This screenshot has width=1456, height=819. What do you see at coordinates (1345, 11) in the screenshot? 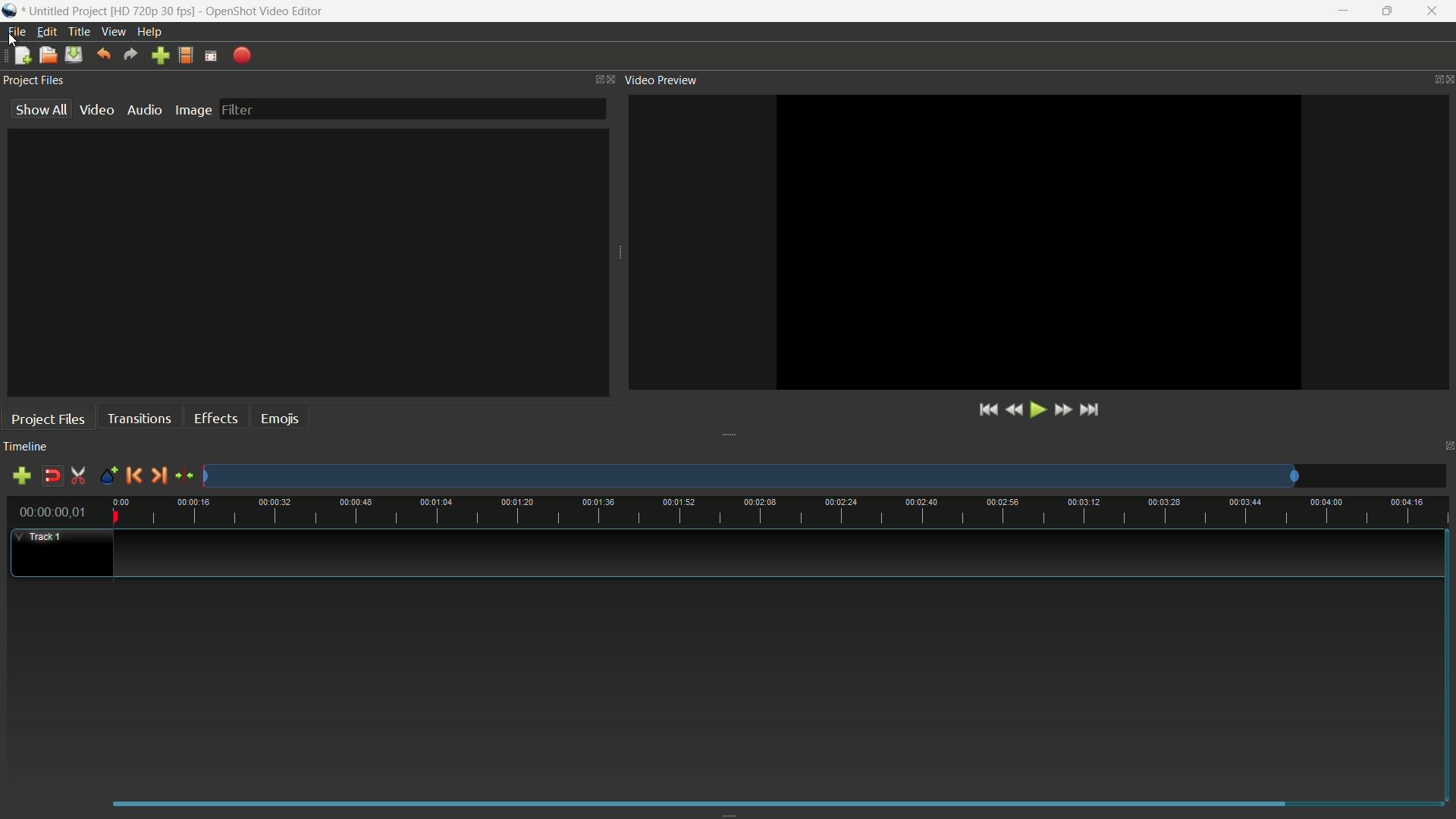
I see `minimize` at bounding box center [1345, 11].